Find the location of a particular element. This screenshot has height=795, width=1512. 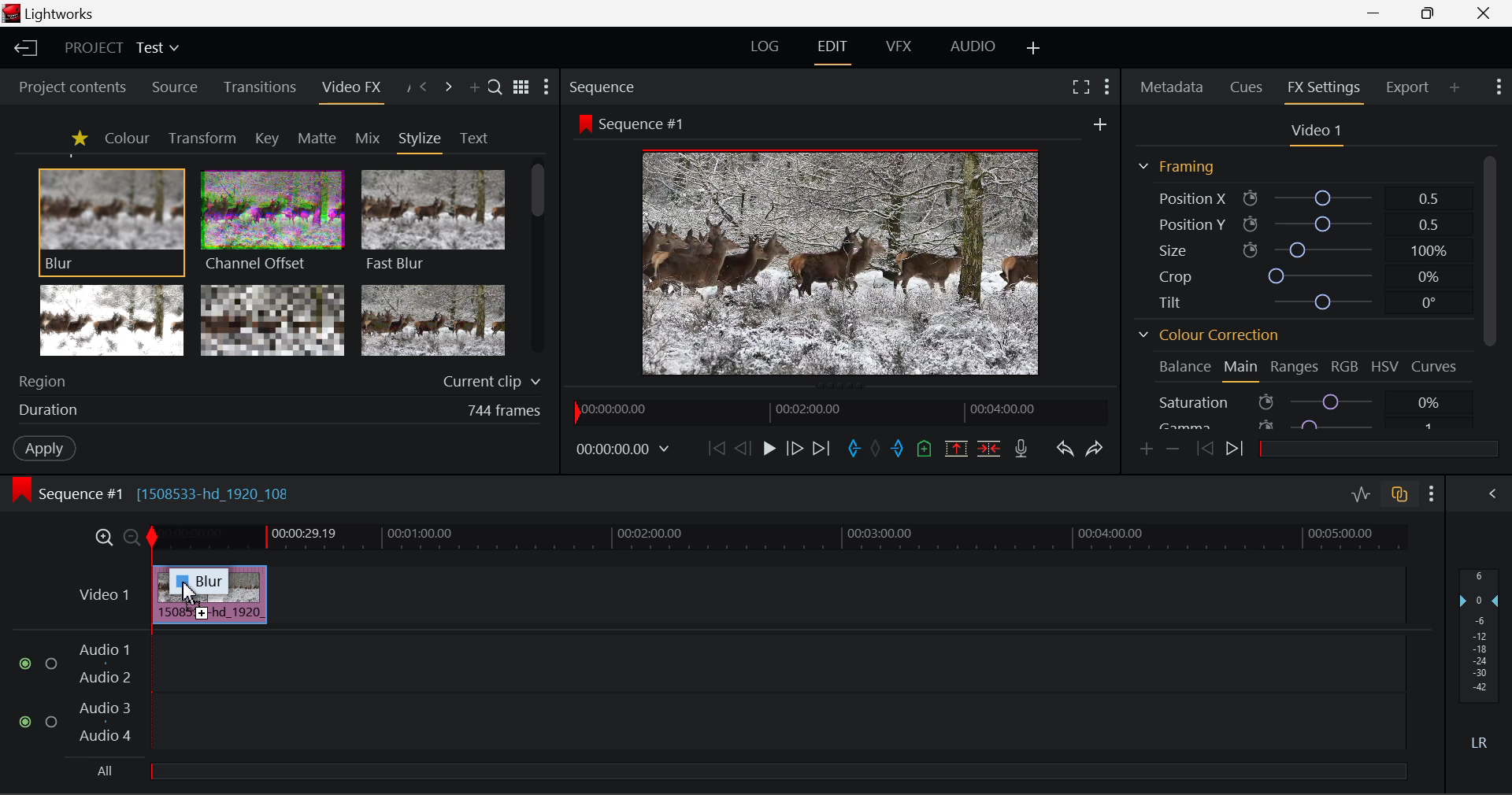

Remove Marked Section is located at coordinates (958, 447).